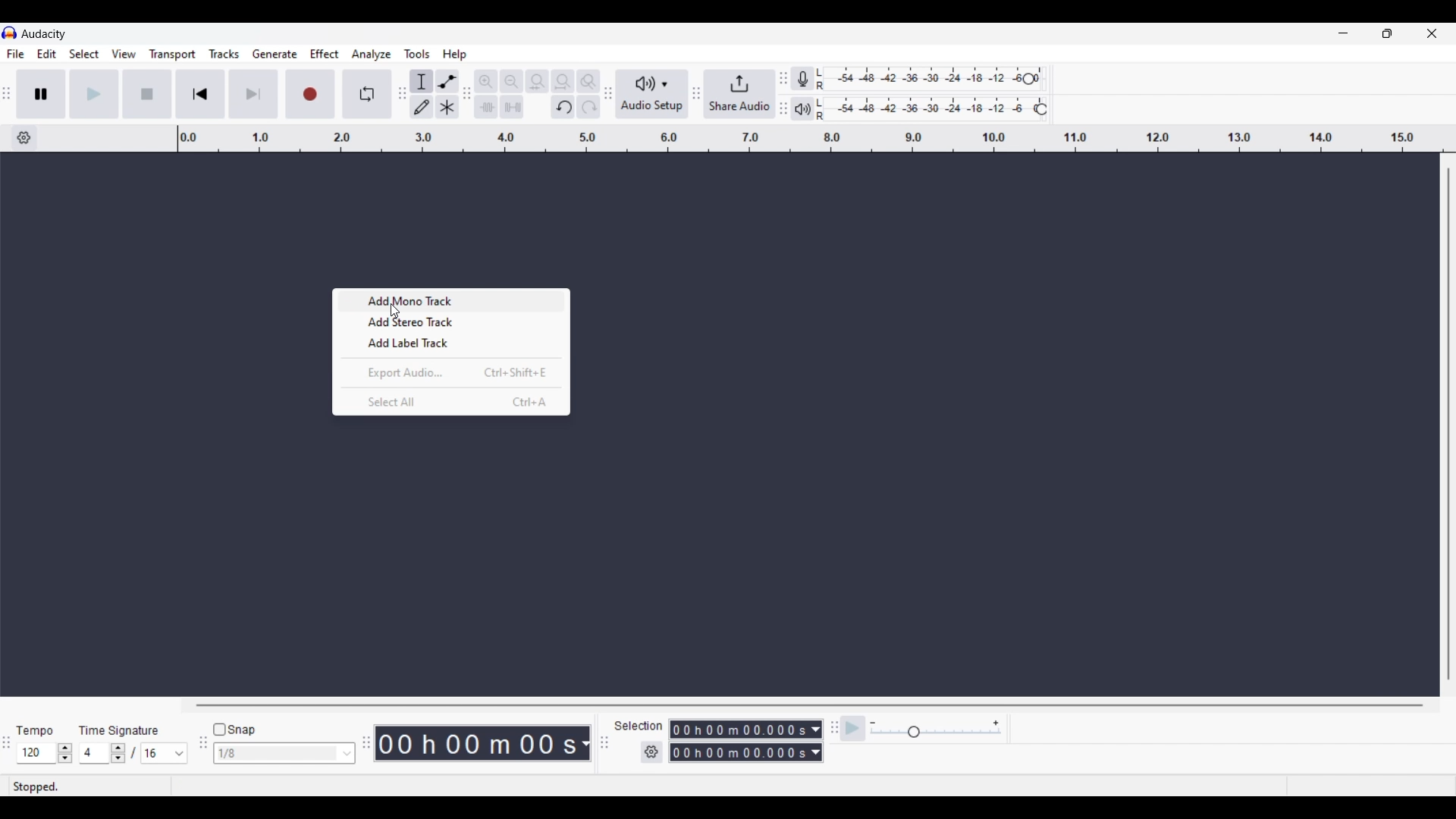 The width and height of the screenshot is (1456, 819). I want to click on Select menu, so click(84, 55).